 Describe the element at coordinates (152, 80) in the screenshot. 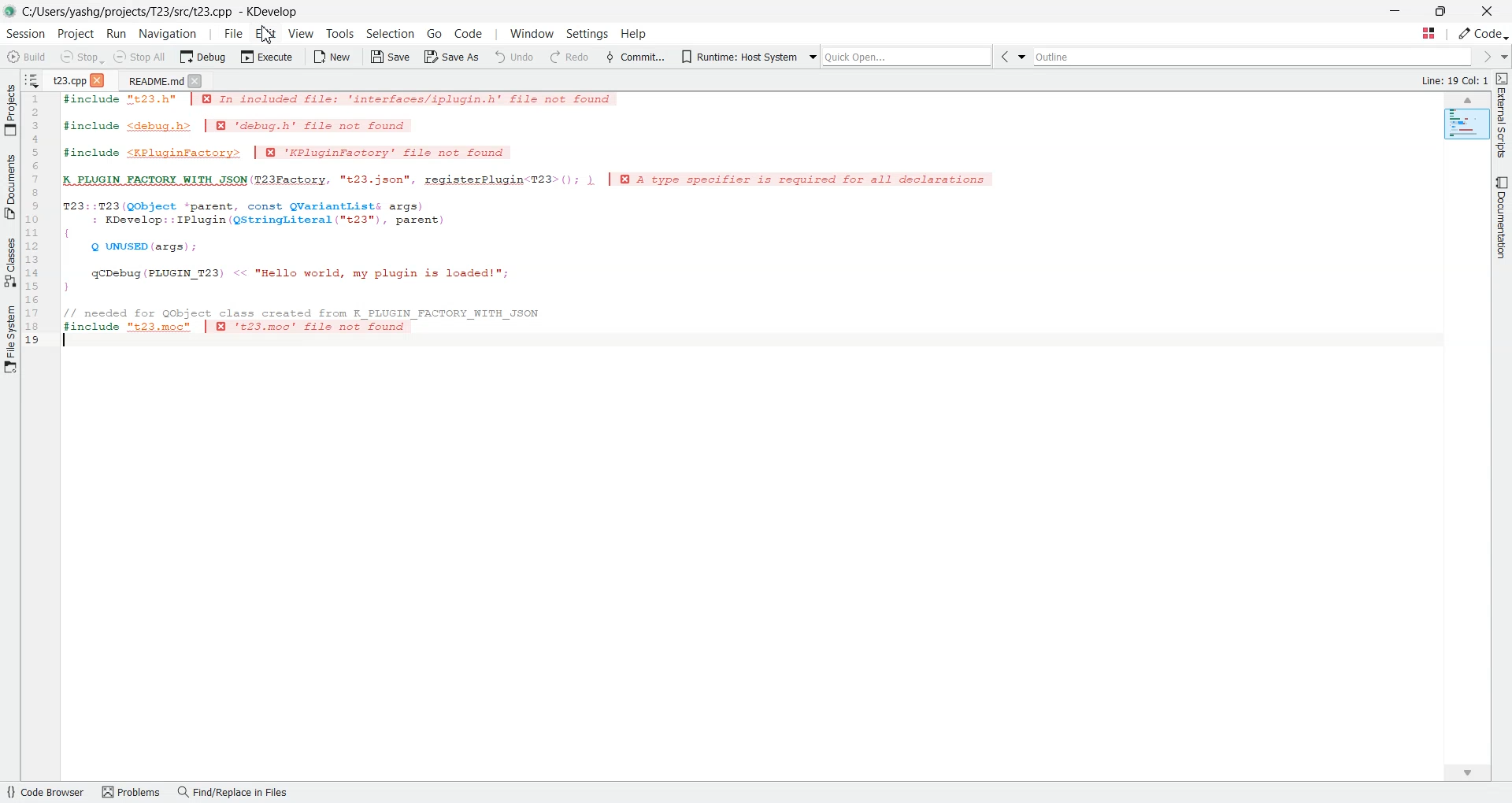

I see `Read me folder` at that location.